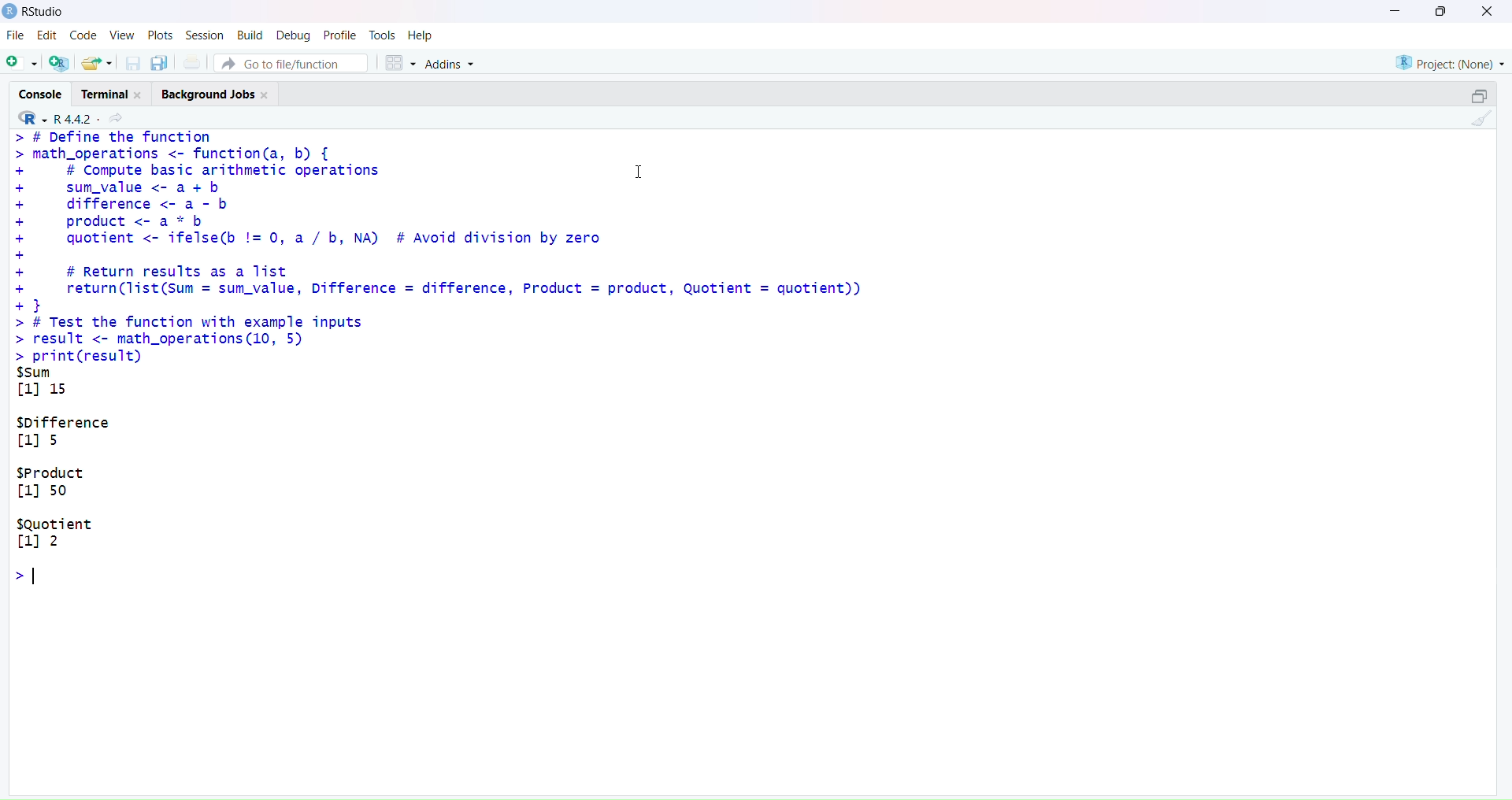  I want to click on R 4.4.2, so click(72, 118).